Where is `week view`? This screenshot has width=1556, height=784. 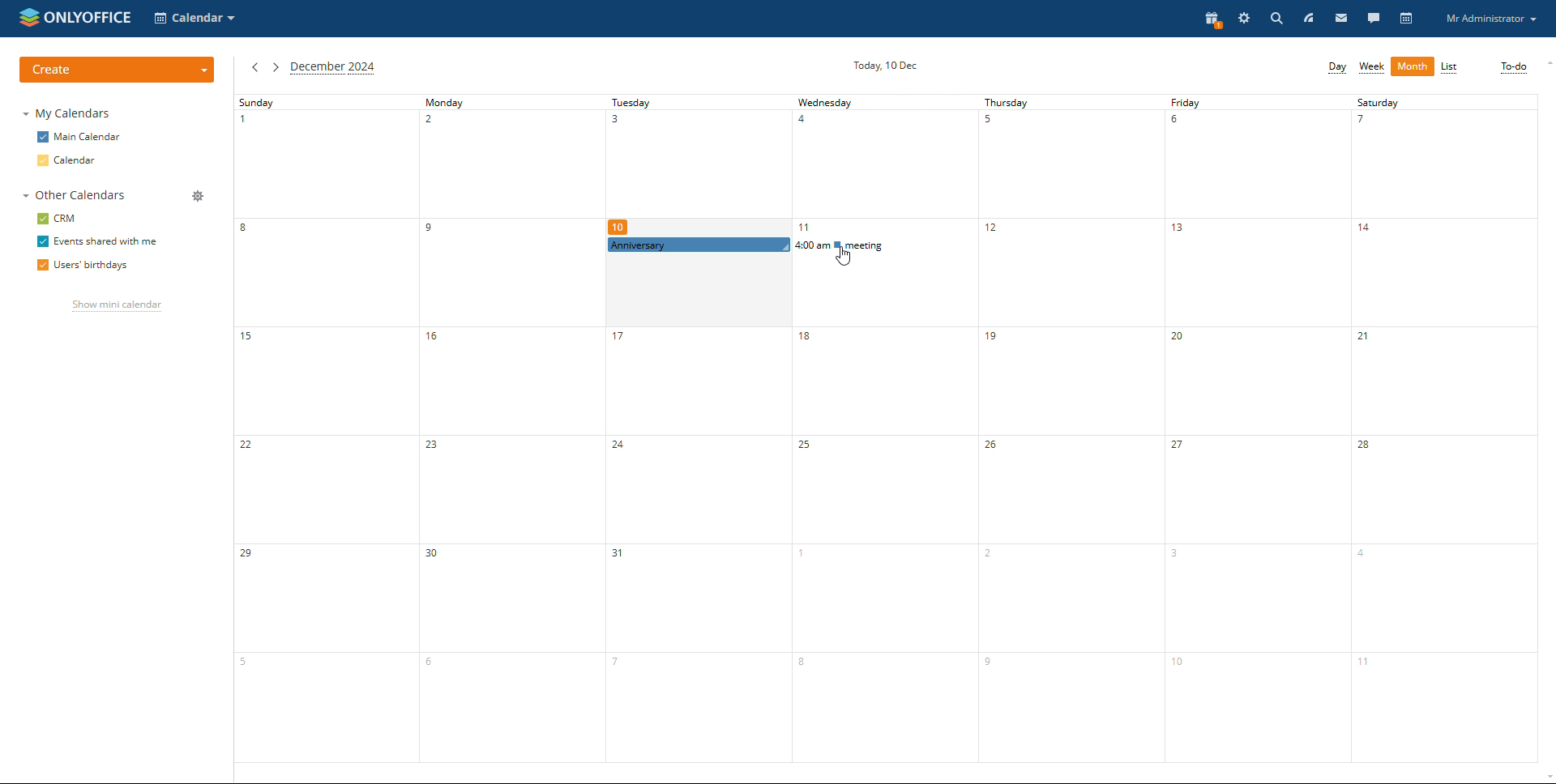
week view is located at coordinates (1372, 66).